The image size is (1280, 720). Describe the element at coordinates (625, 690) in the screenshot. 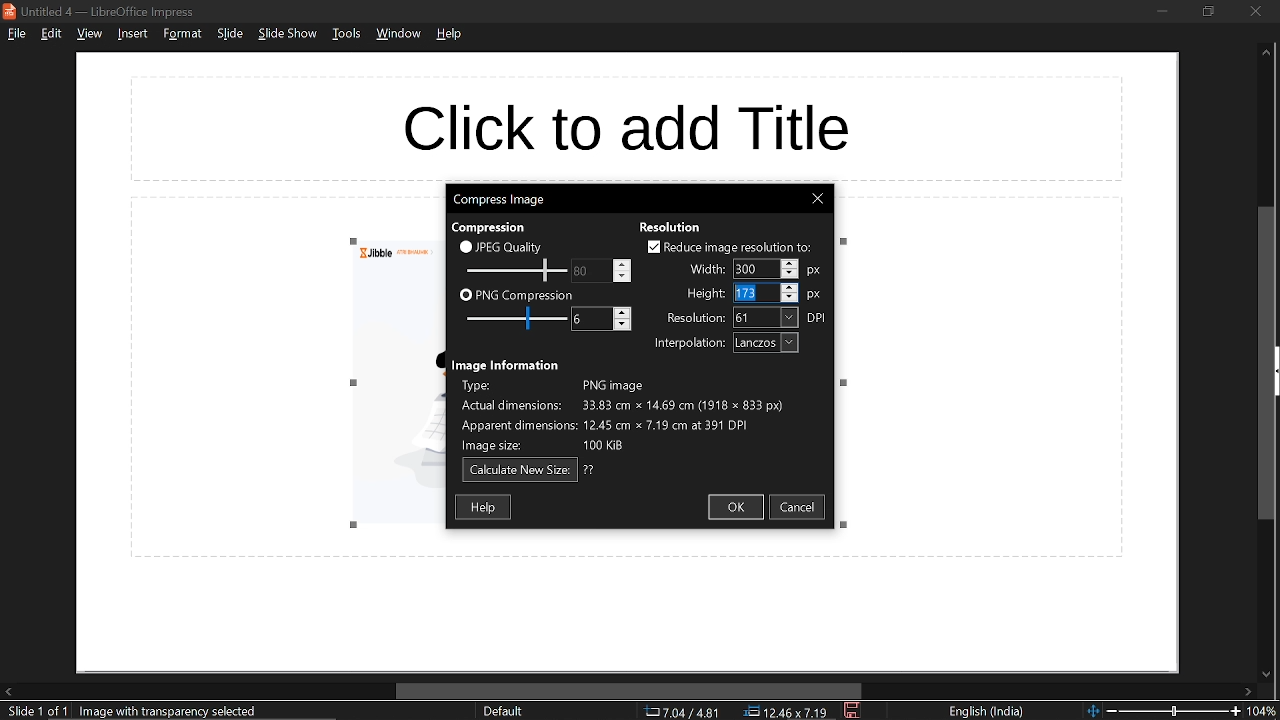

I see `horizontal scrollbar` at that location.